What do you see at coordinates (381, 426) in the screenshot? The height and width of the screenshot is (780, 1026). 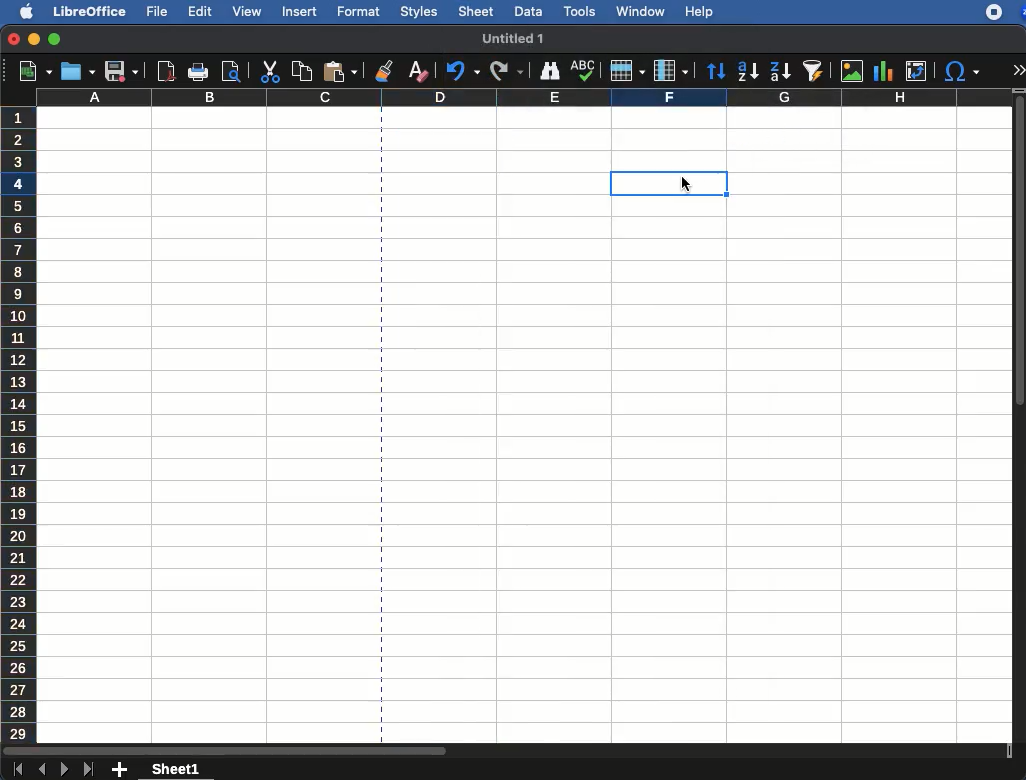 I see `page break` at bounding box center [381, 426].